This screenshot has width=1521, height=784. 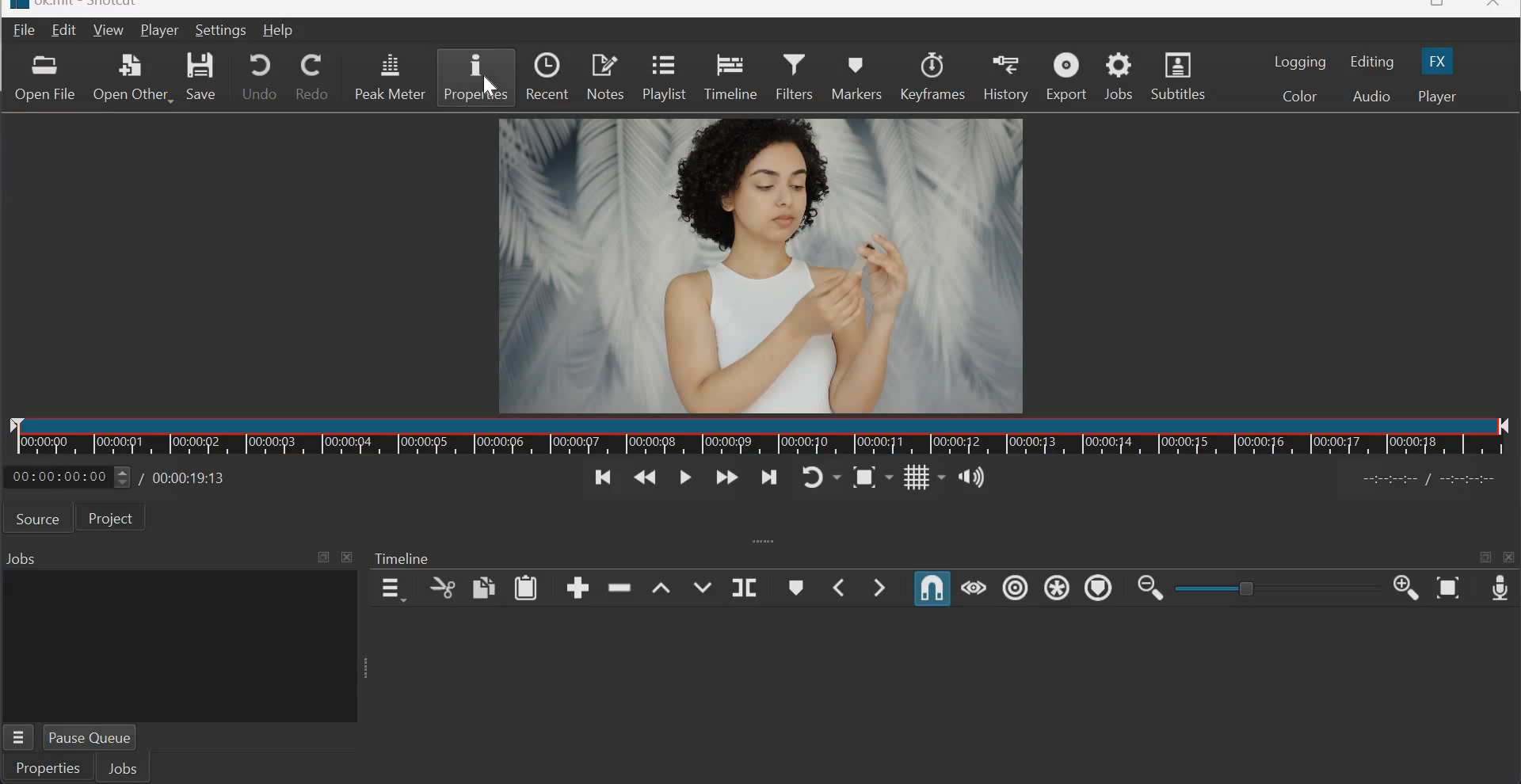 What do you see at coordinates (1437, 97) in the screenshot?
I see `Player` at bounding box center [1437, 97].